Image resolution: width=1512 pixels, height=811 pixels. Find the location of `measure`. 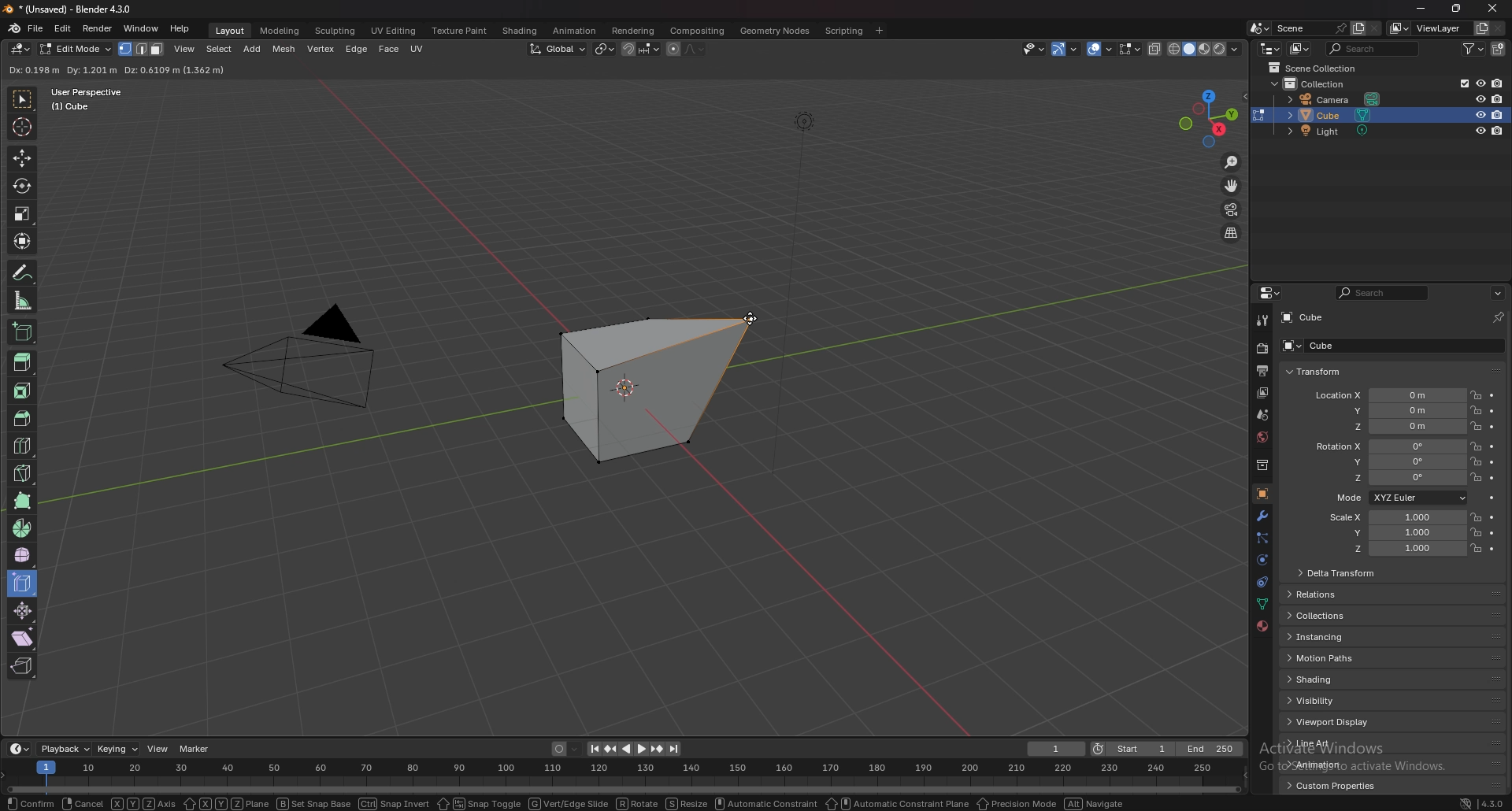

measure is located at coordinates (23, 301).